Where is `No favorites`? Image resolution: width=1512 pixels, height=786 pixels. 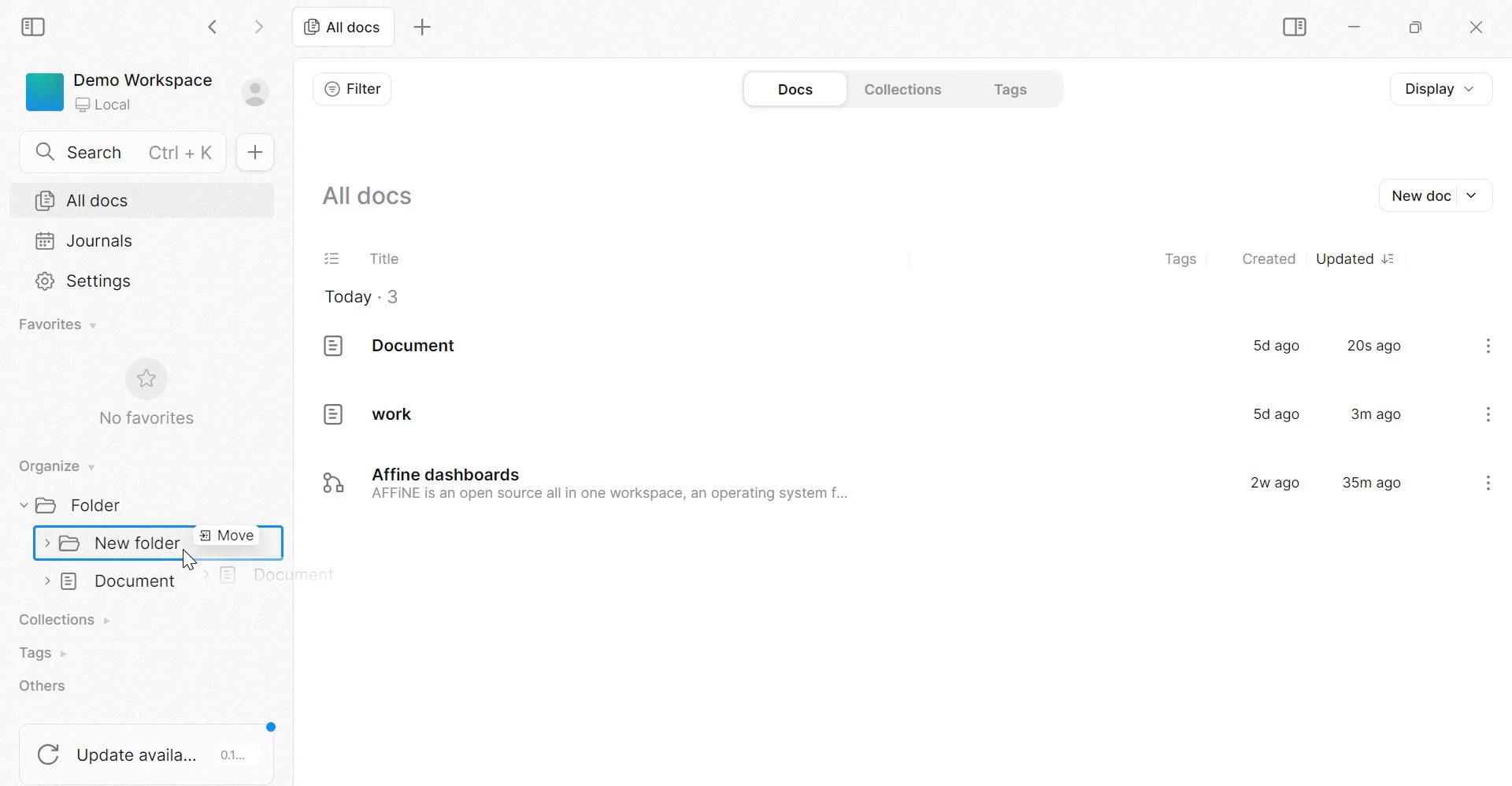 No favorites is located at coordinates (146, 395).